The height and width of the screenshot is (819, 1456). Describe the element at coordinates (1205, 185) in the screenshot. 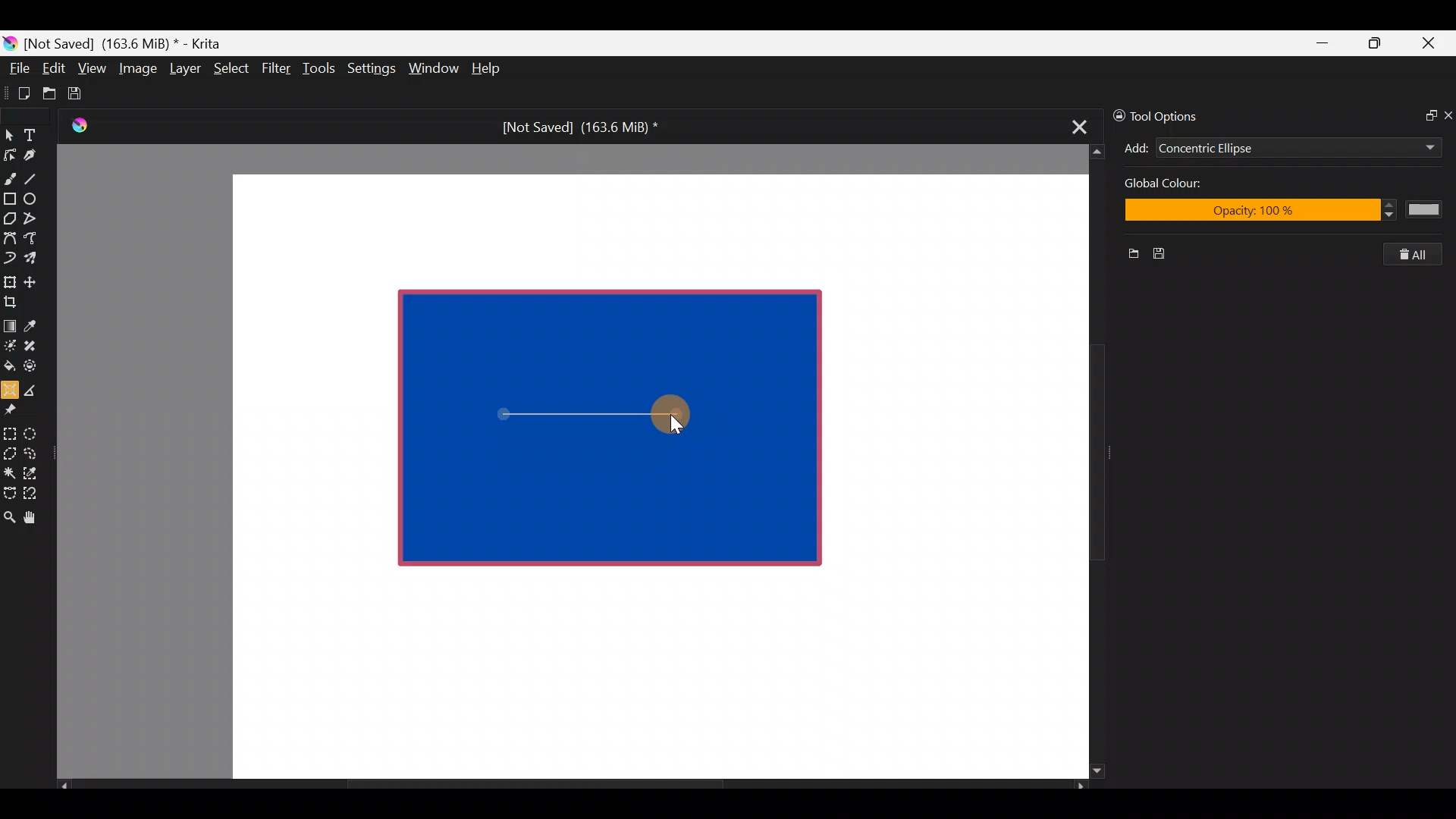

I see `Global color` at that location.